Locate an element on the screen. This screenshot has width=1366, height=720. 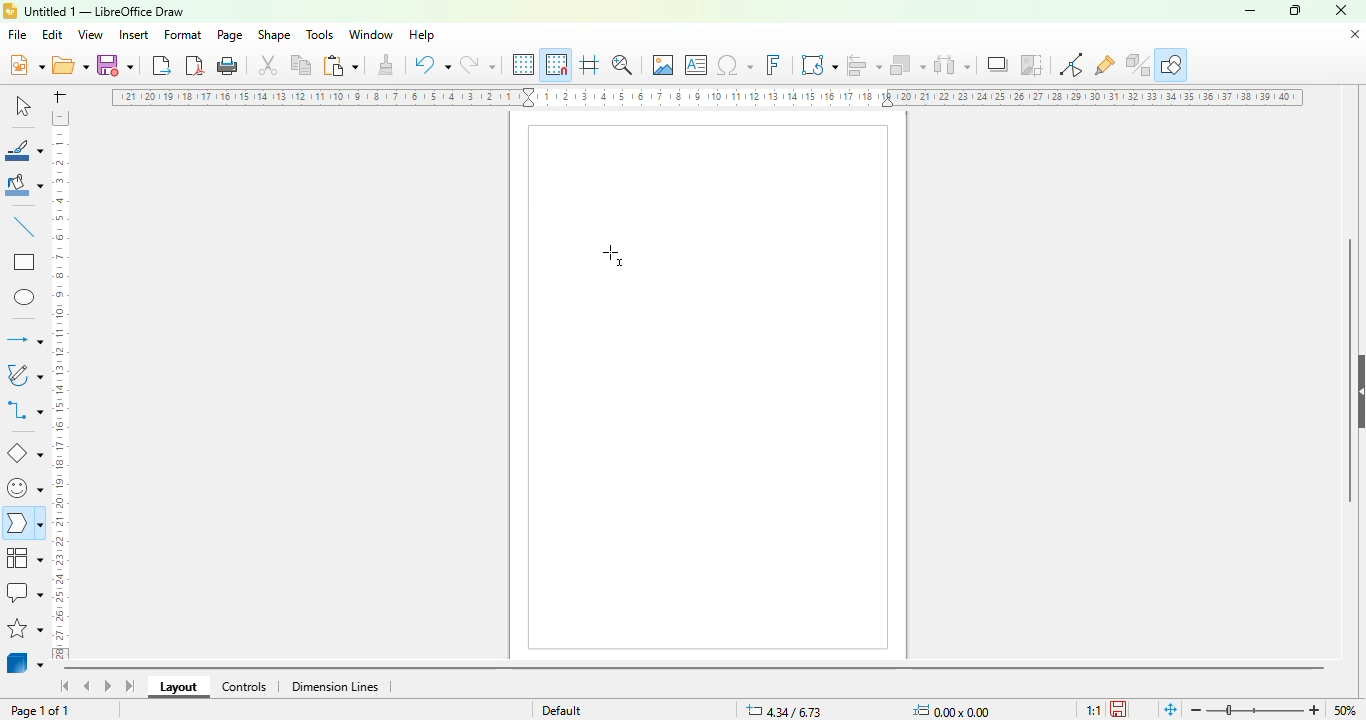
lines and arrows is located at coordinates (24, 339).